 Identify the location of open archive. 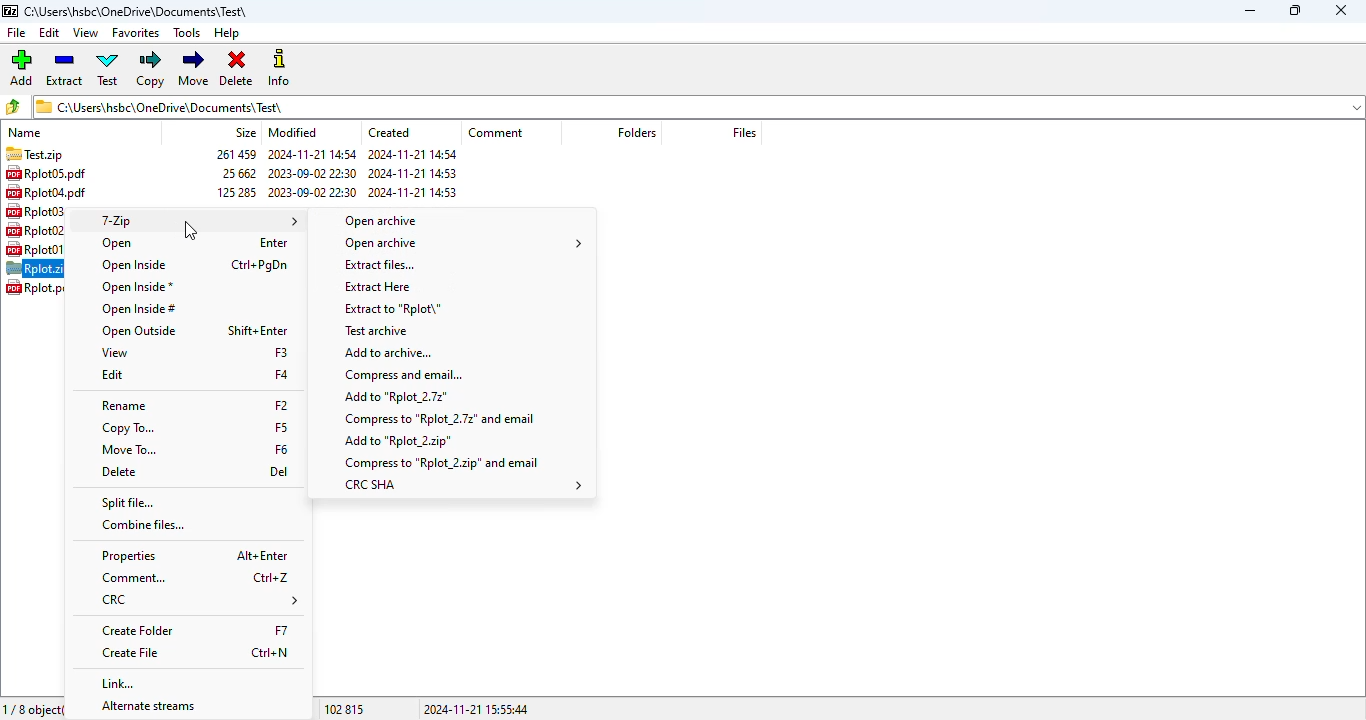
(465, 243).